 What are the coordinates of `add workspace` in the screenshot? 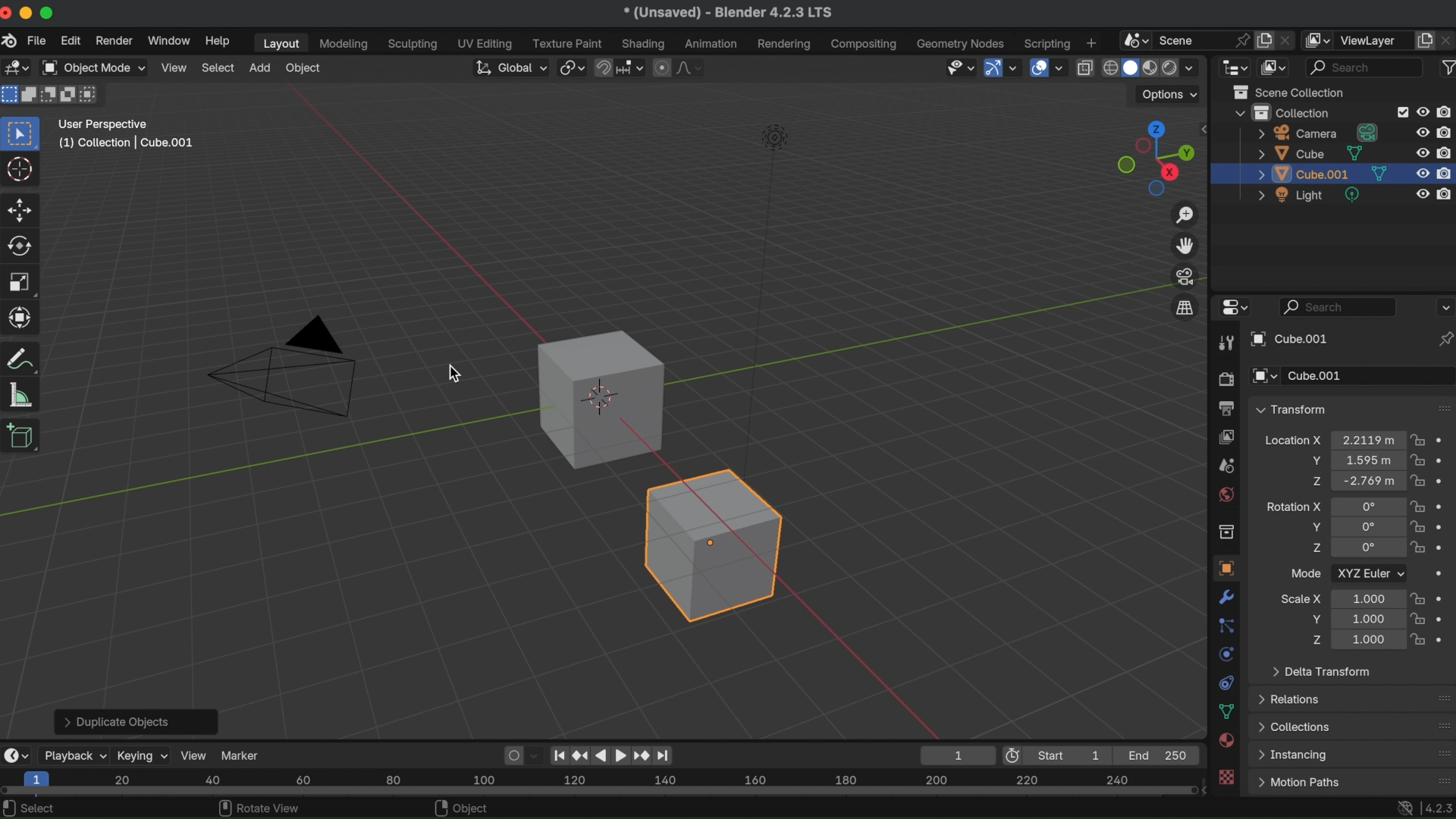 It's located at (1090, 42).